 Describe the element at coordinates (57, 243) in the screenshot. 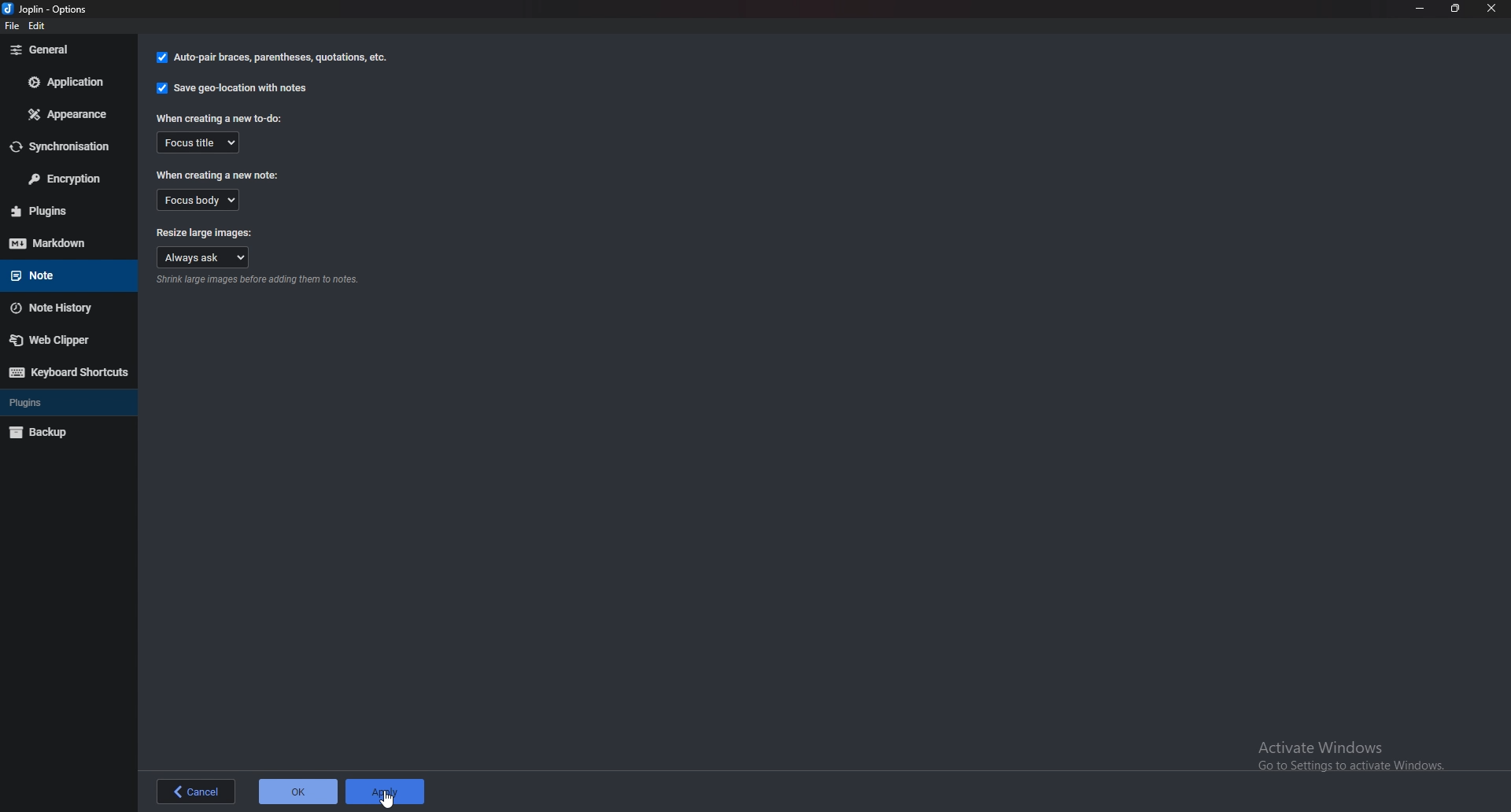

I see `mark down` at that location.